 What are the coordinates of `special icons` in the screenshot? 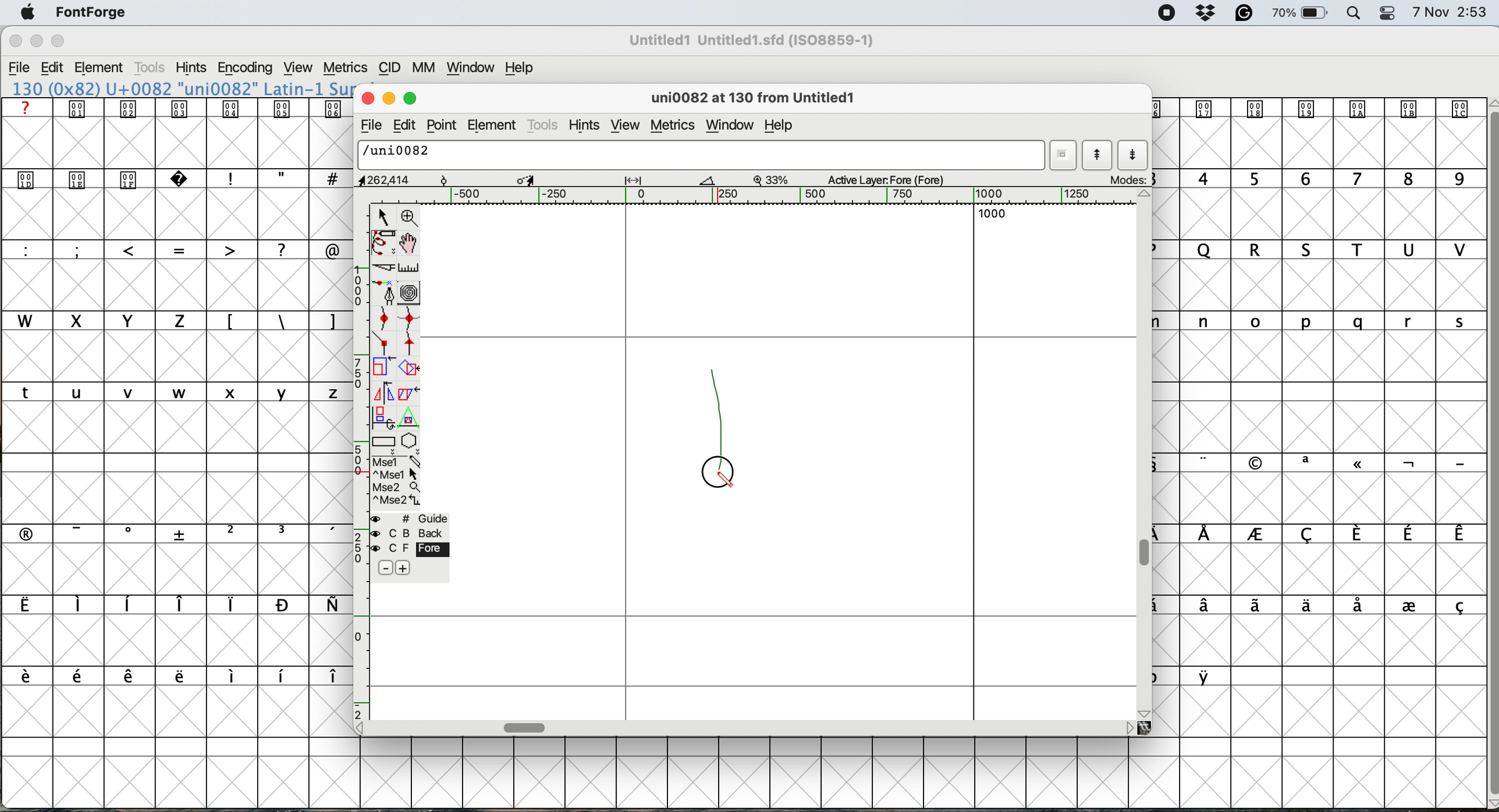 It's located at (106, 177).